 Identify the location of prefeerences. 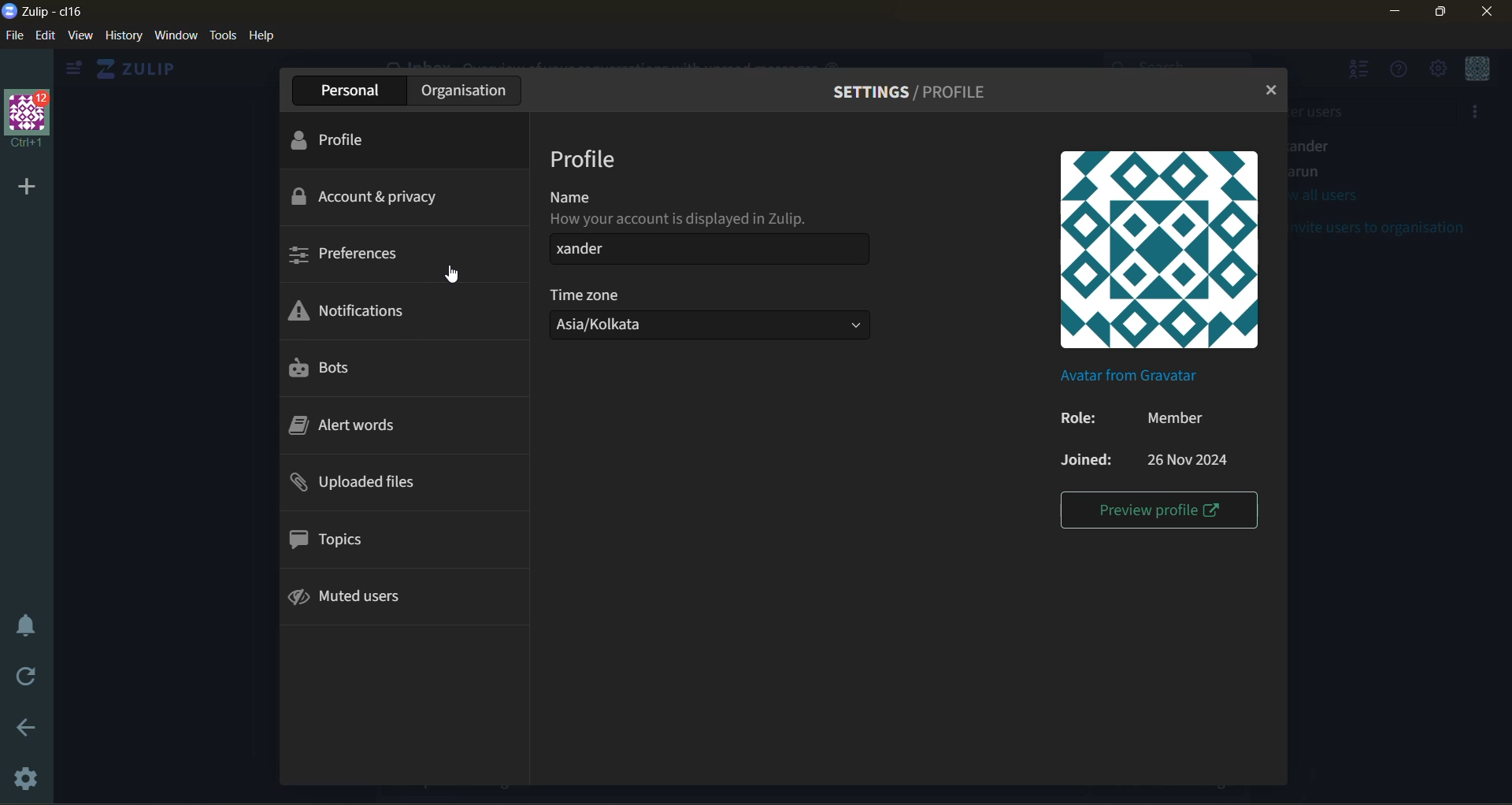
(354, 258).